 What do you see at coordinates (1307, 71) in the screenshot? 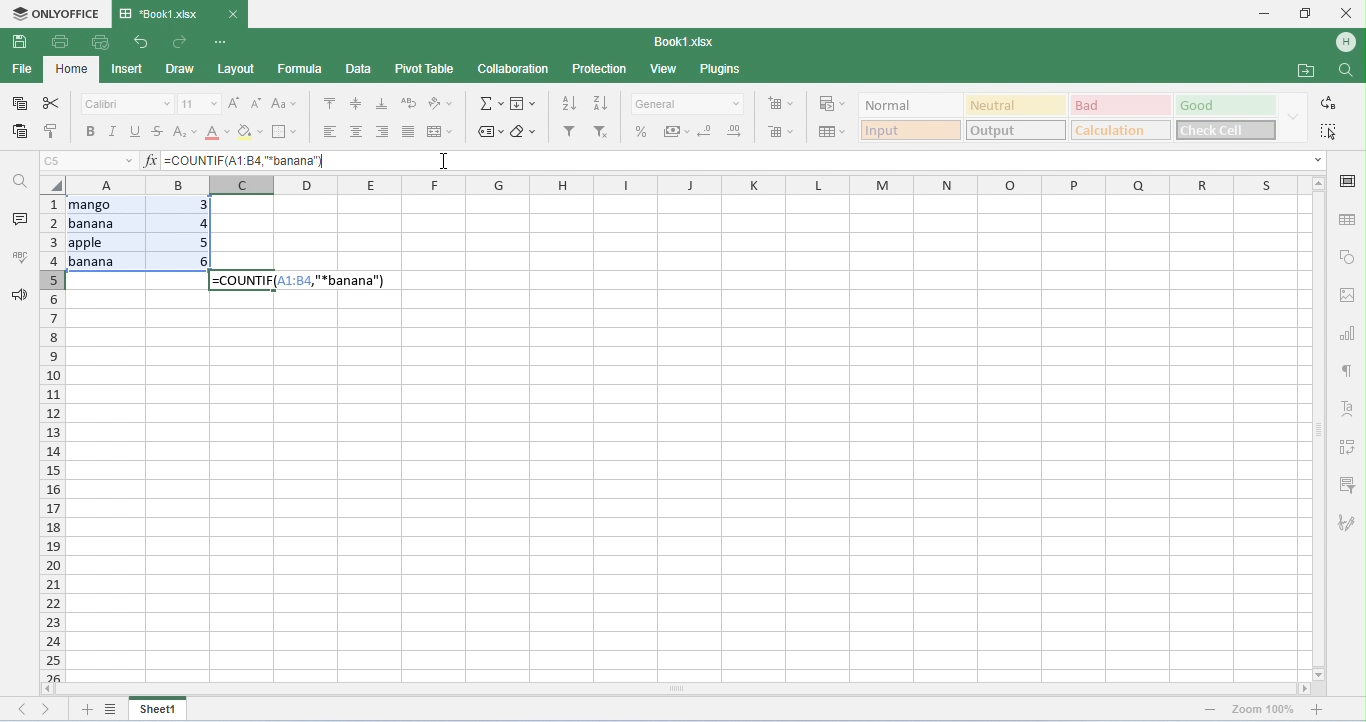
I see `open file location` at bounding box center [1307, 71].